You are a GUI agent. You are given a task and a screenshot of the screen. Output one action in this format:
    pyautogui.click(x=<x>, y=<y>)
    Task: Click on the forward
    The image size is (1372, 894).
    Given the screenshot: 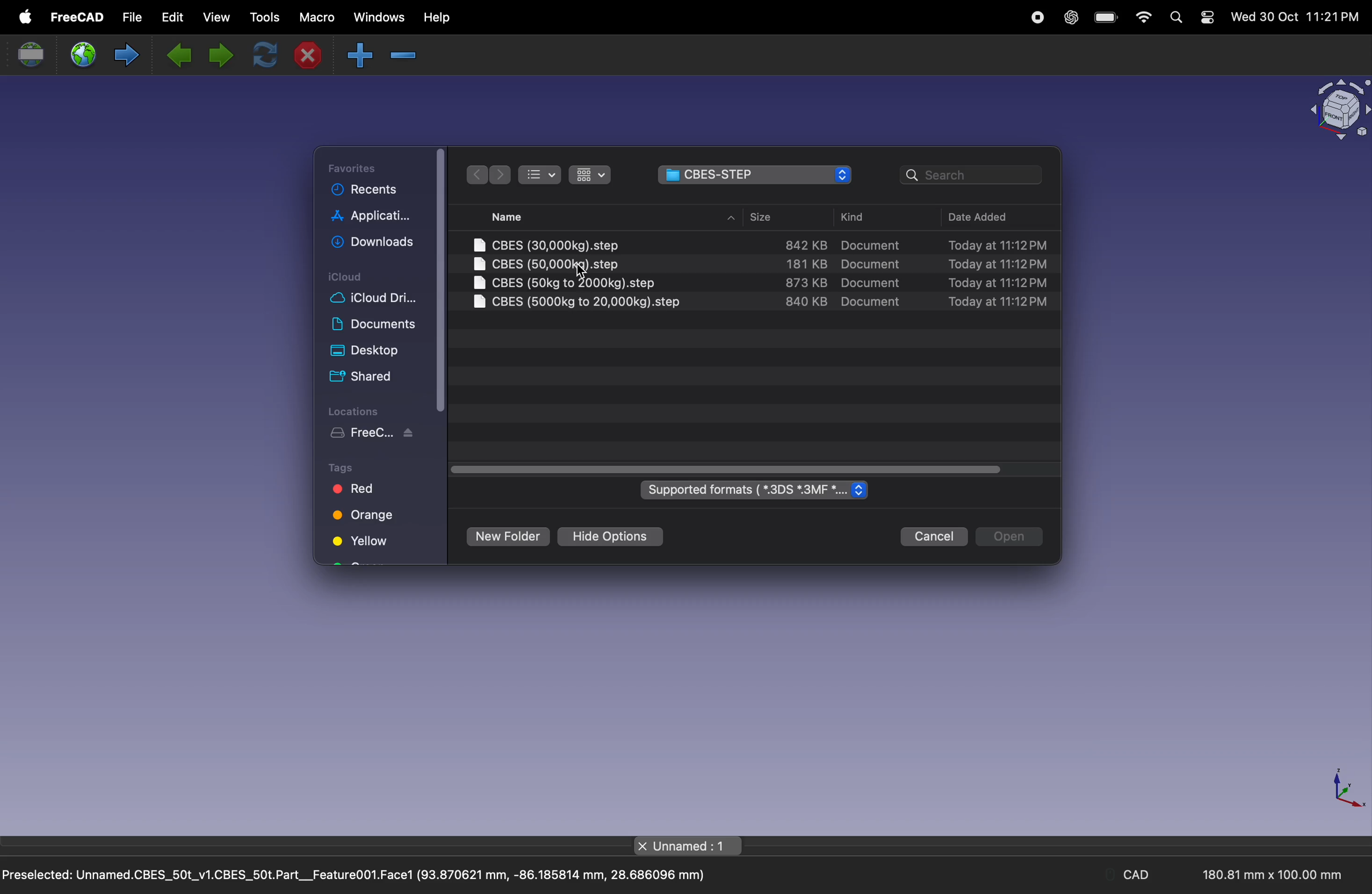 What is the action you would take?
    pyautogui.click(x=501, y=175)
    